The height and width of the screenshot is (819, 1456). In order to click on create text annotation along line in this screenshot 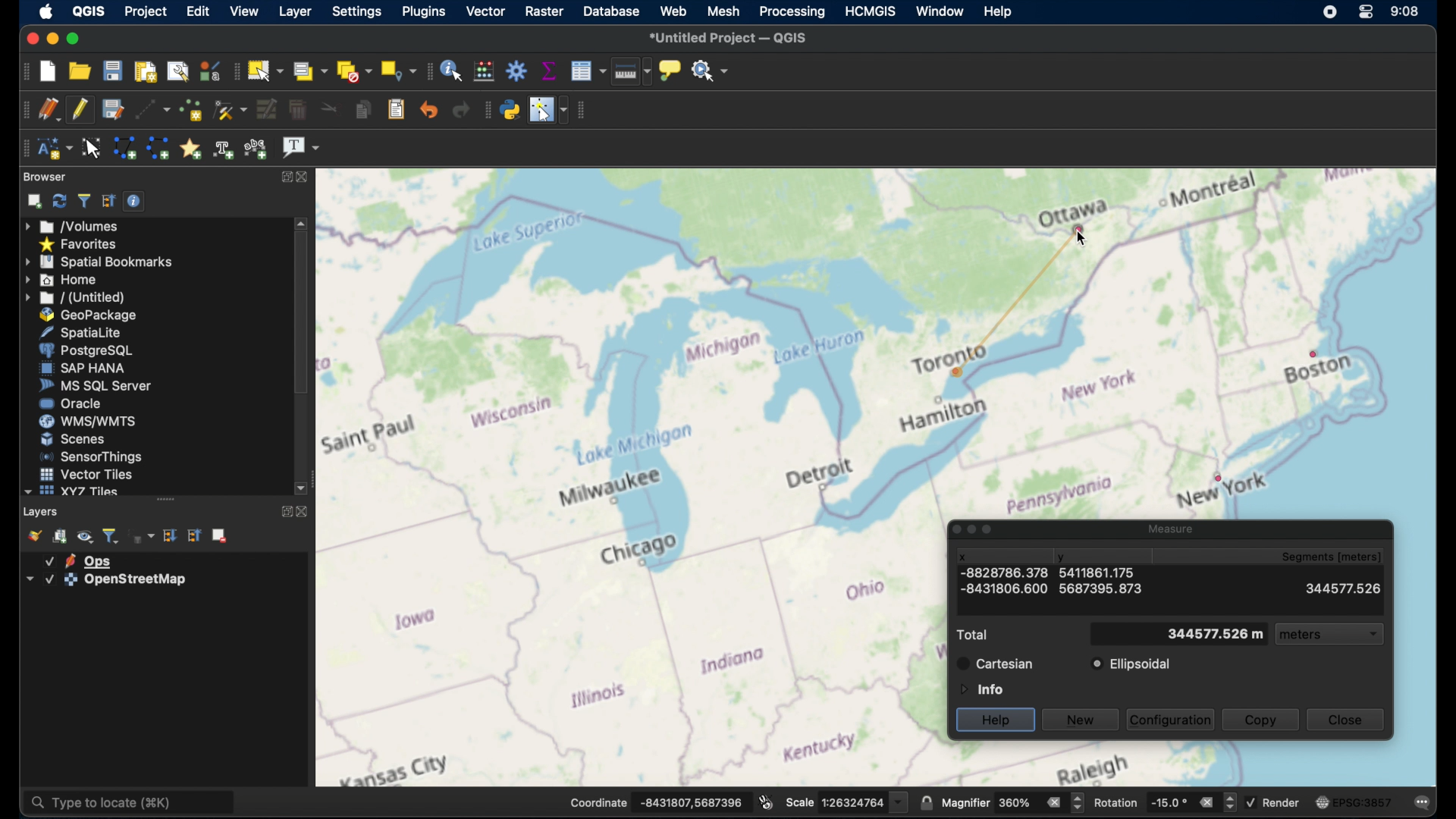, I will do `click(224, 149)`.